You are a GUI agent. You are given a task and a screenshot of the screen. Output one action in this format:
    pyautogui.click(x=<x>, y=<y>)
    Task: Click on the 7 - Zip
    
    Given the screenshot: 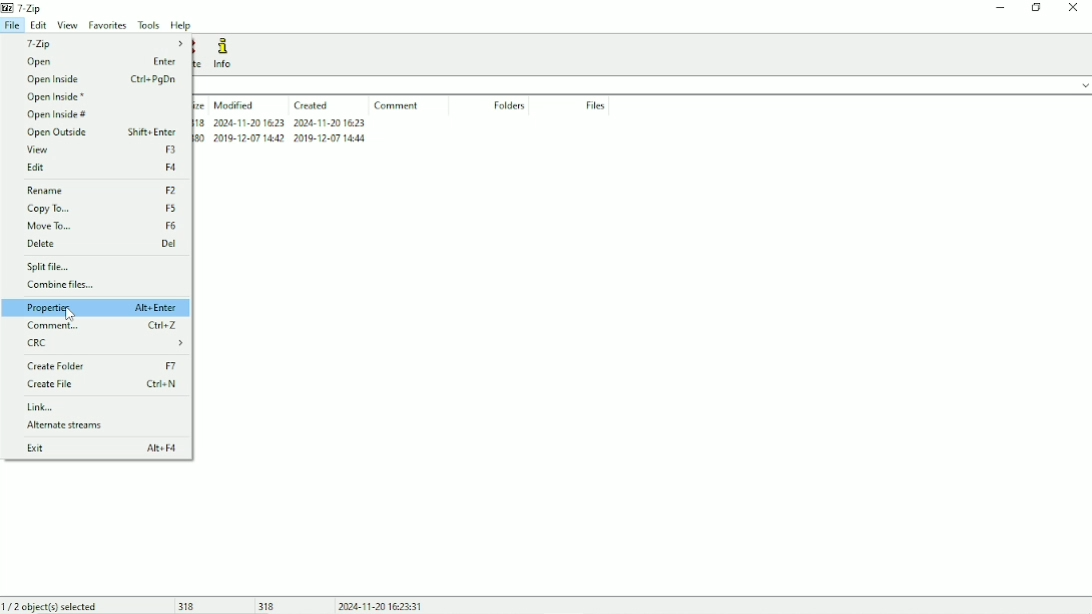 What is the action you would take?
    pyautogui.click(x=104, y=43)
    